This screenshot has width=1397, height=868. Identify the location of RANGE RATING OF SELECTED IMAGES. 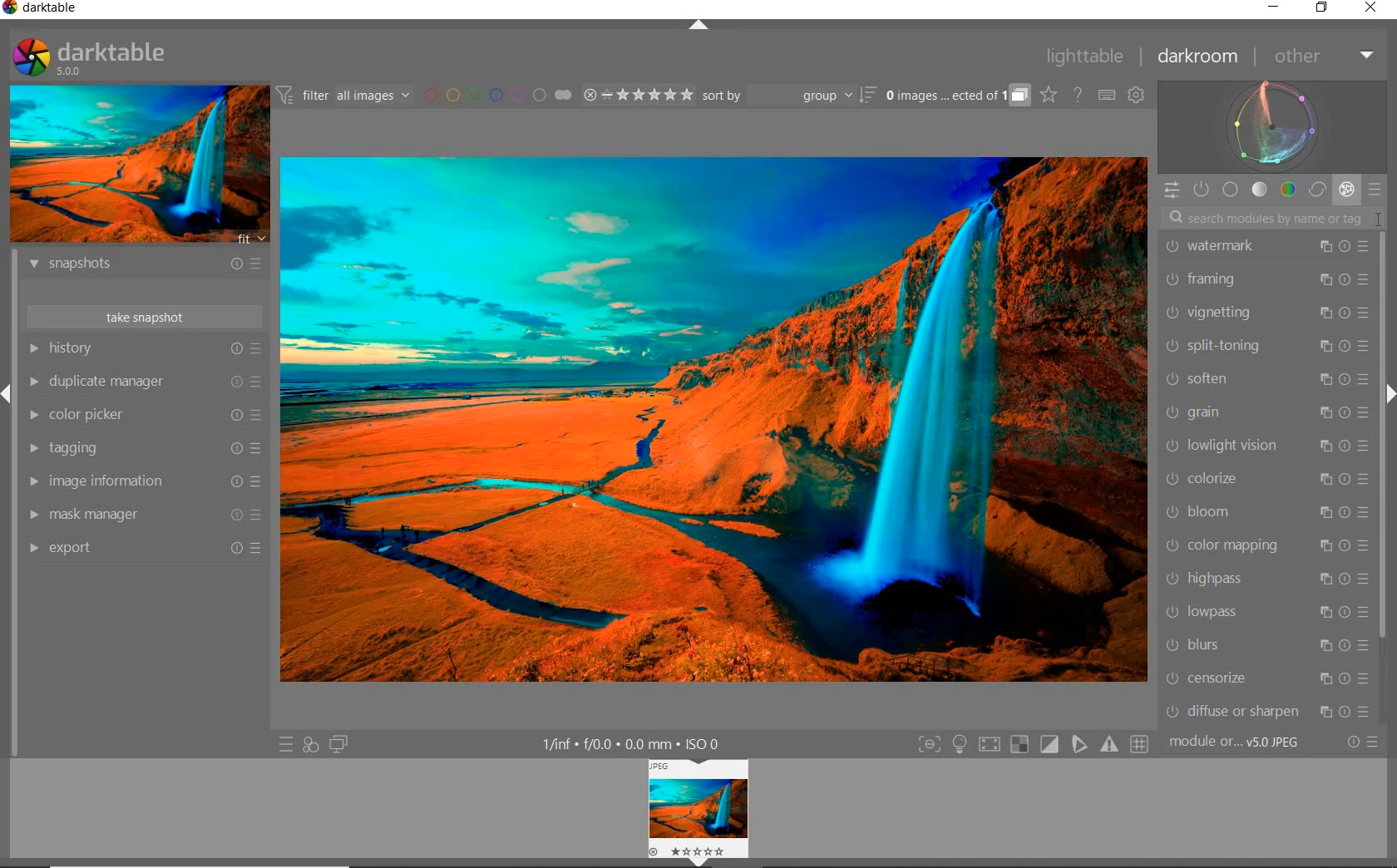
(638, 94).